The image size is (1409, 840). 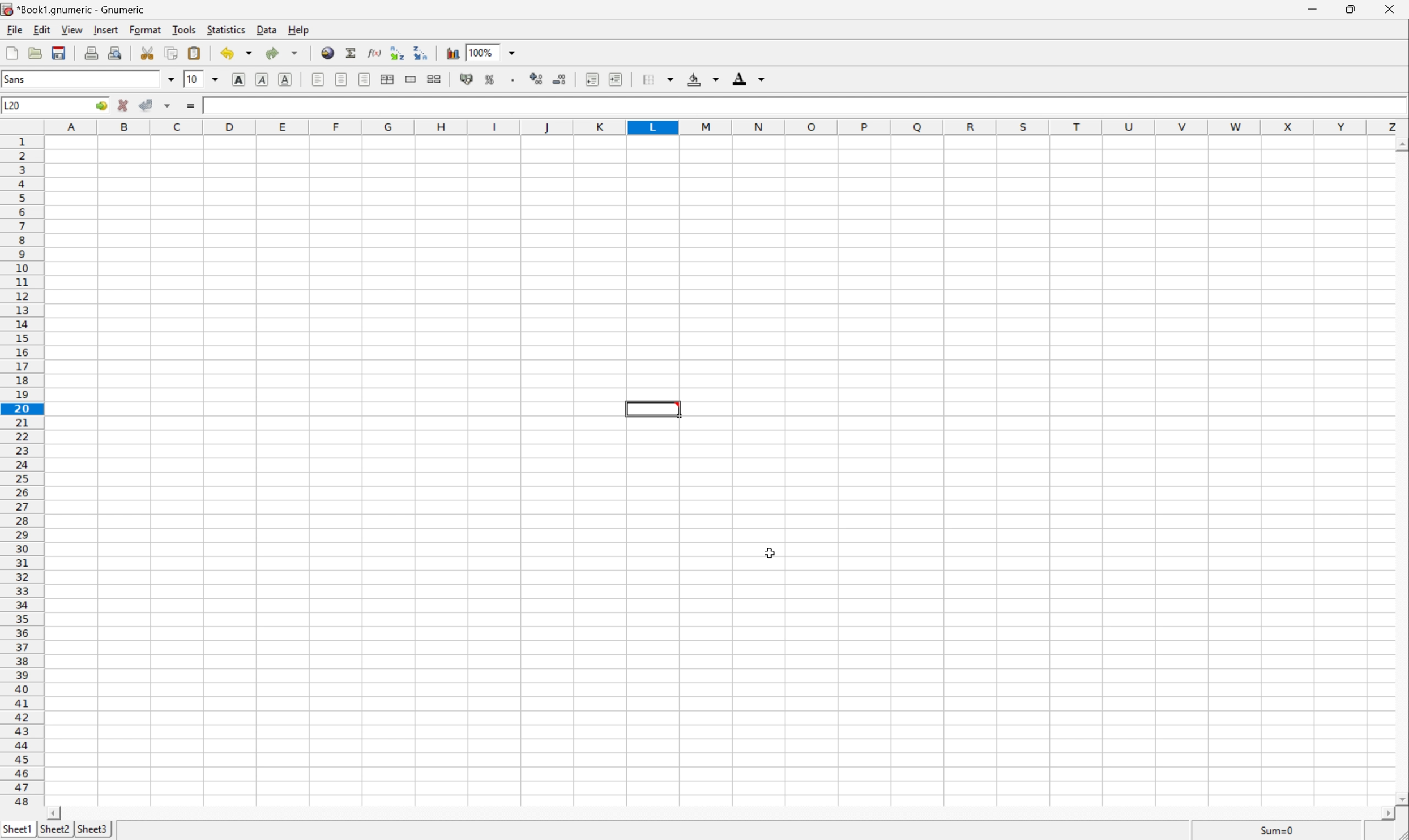 What do you see at coordinates (92, 53) in the screenshot?
I see `Print current file` at bounding box center [92, 53].